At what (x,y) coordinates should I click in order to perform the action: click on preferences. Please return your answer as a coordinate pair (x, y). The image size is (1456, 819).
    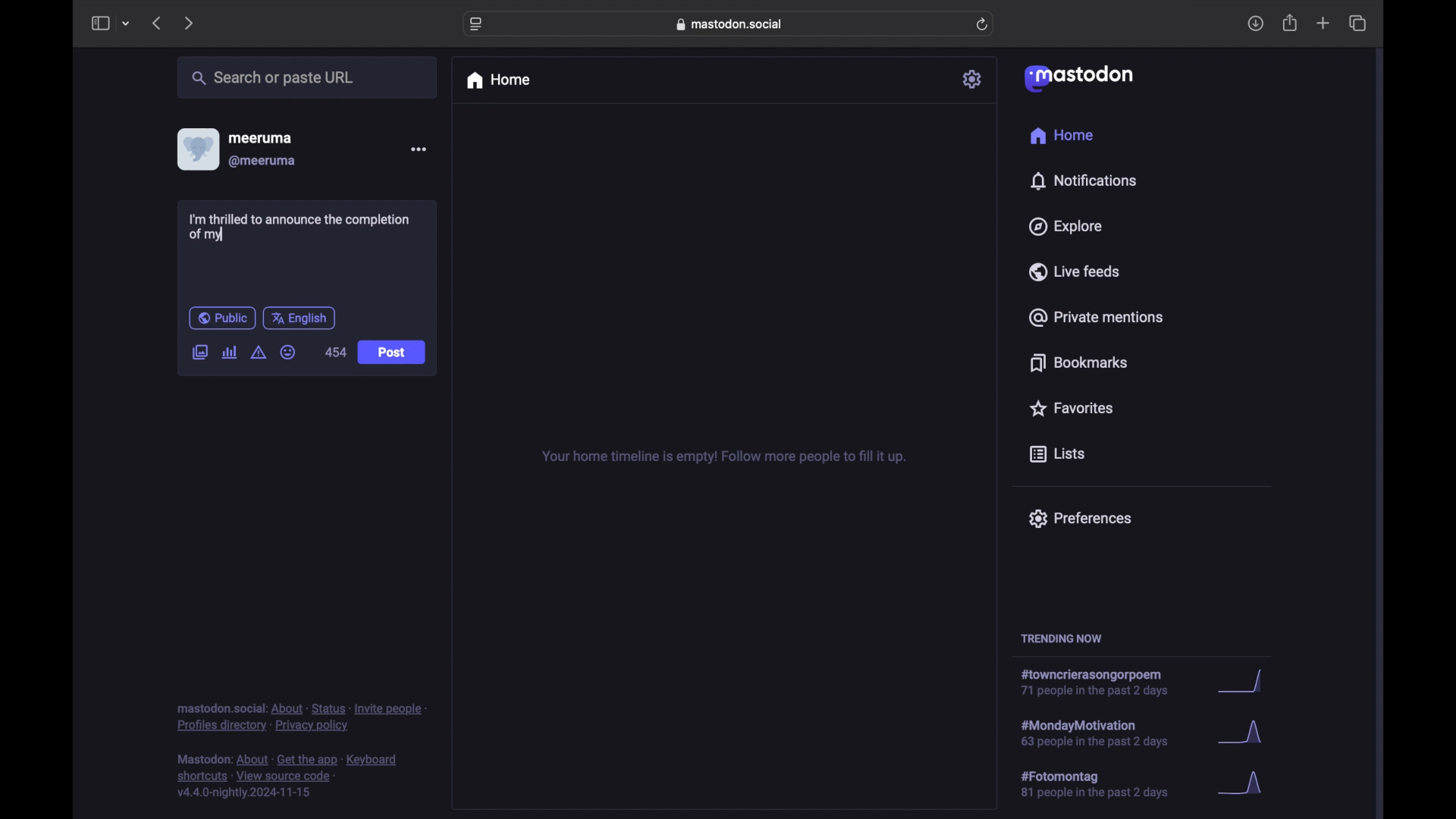
    Looking at the image, I should click on (1080, 519).